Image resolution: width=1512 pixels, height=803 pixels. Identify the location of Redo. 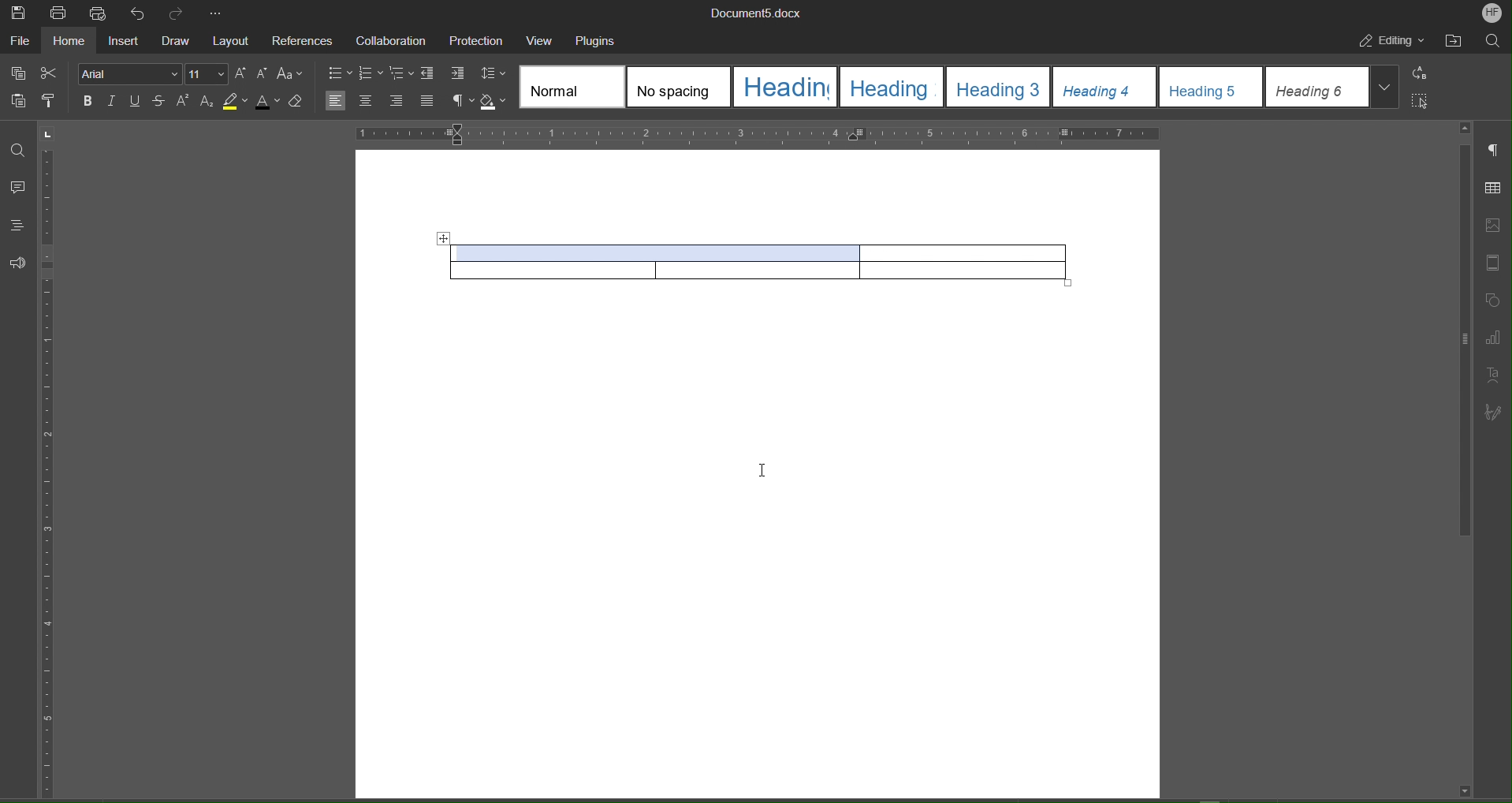
(182, 13).